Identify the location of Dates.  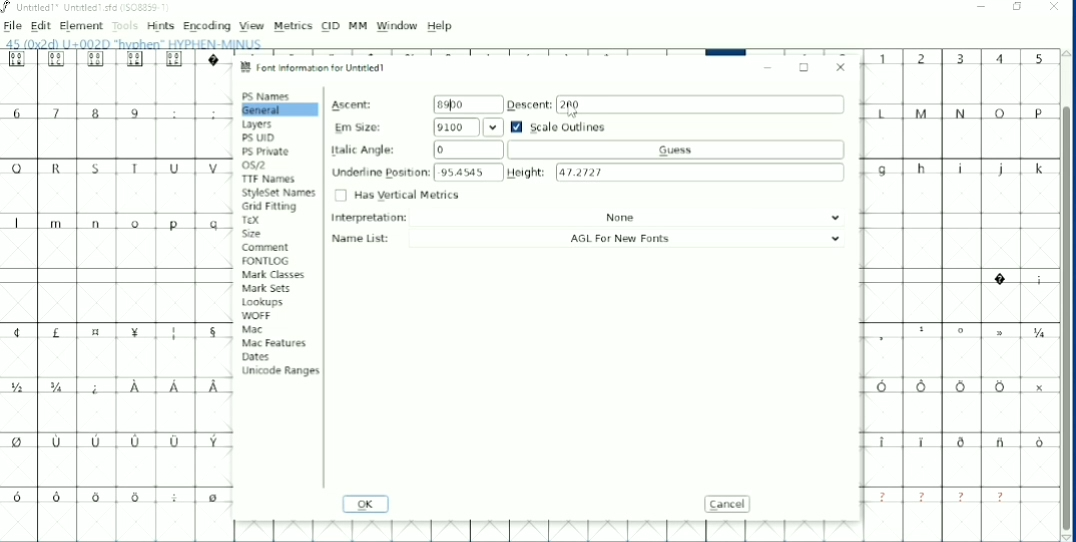
(255, 357).